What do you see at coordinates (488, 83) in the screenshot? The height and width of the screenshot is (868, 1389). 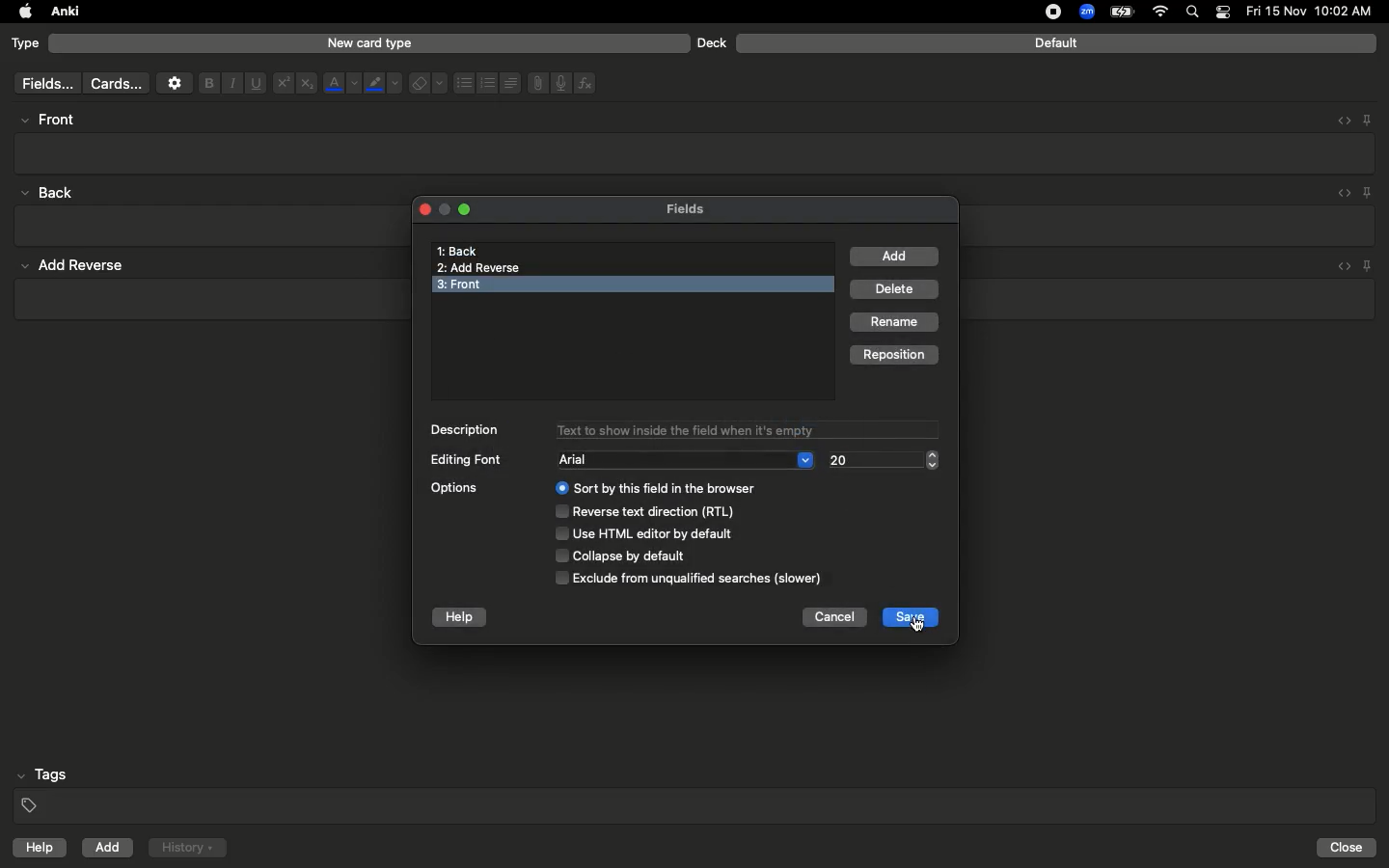 I see `Numbered bullets` at bounding box center [488, 83].